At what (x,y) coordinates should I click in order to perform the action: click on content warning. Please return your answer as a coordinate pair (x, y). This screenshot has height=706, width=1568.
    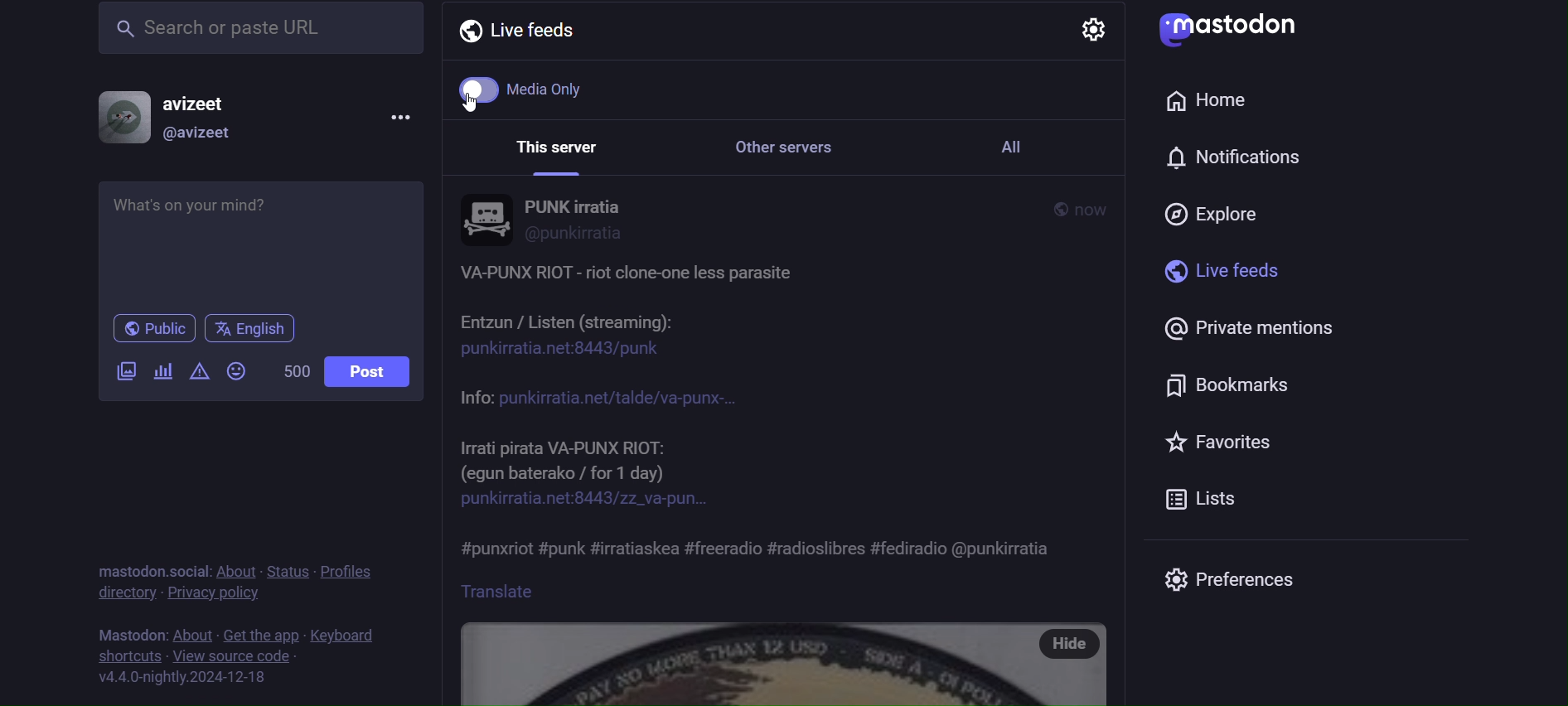
    Looking at the image, I should click on (201, 375).